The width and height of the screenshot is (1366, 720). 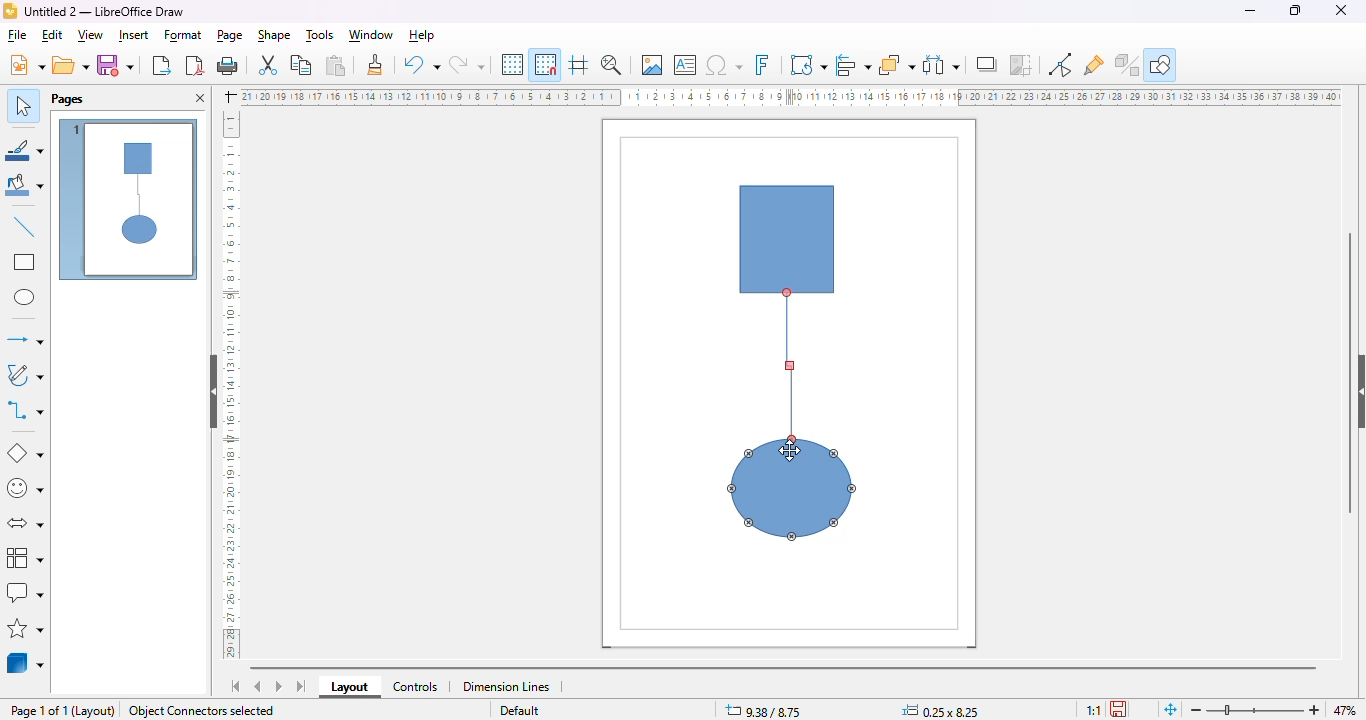 What do you see at coordinates (184, 35) in the screenshot?
I see `format` at bounding box center [184, 35].